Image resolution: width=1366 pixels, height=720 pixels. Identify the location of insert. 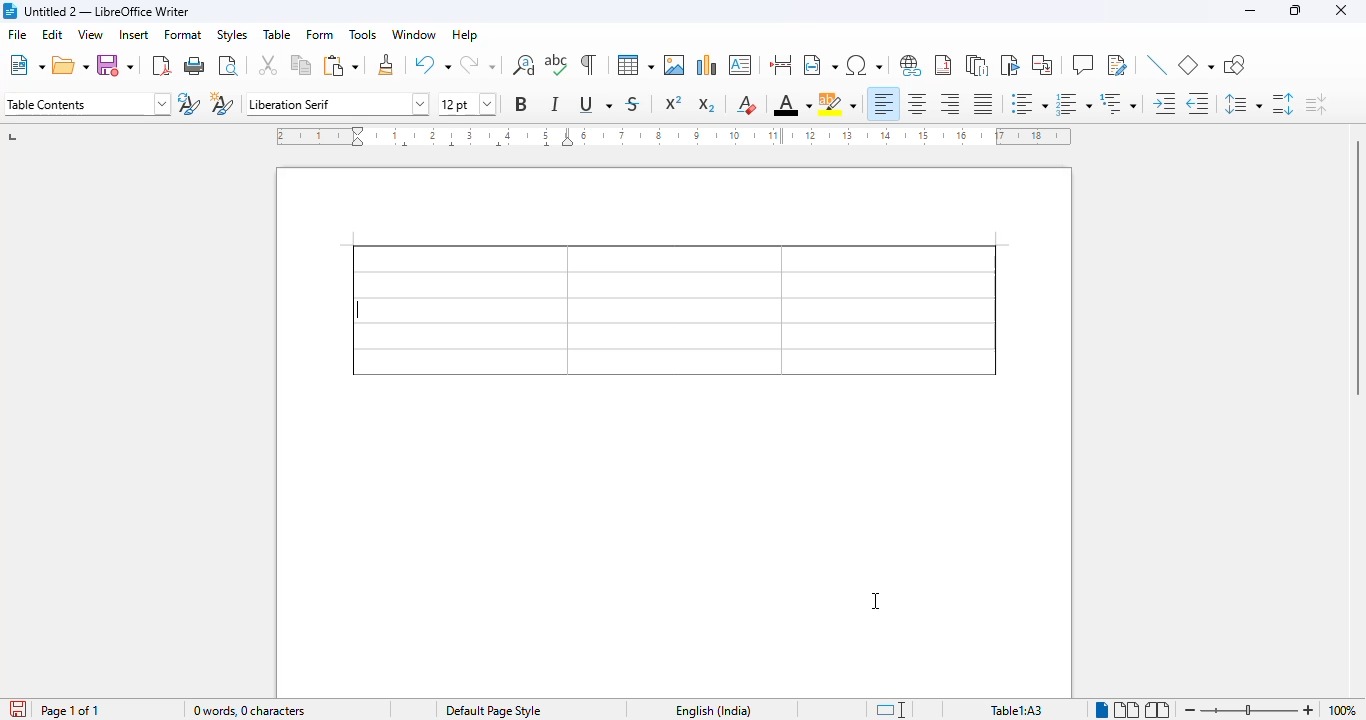
(135, 35).